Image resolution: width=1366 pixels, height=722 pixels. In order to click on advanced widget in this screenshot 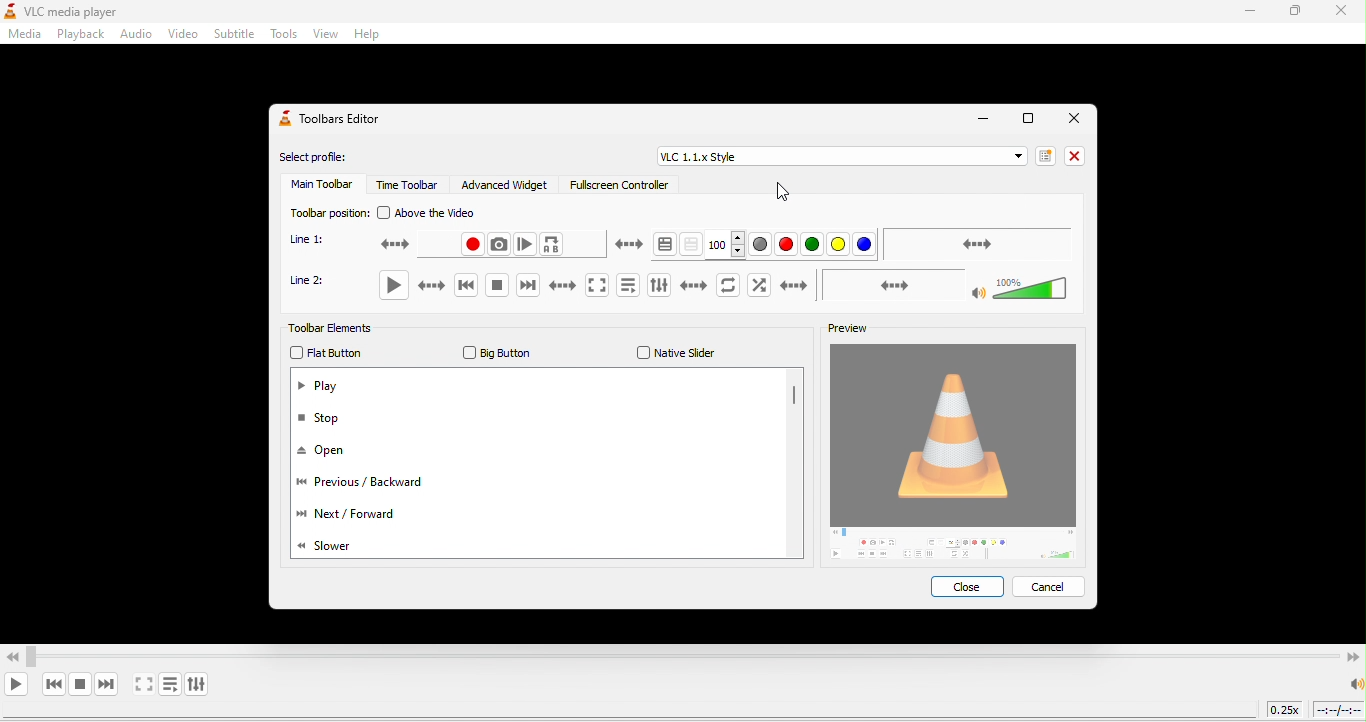, I will do `click(508, 185)`.